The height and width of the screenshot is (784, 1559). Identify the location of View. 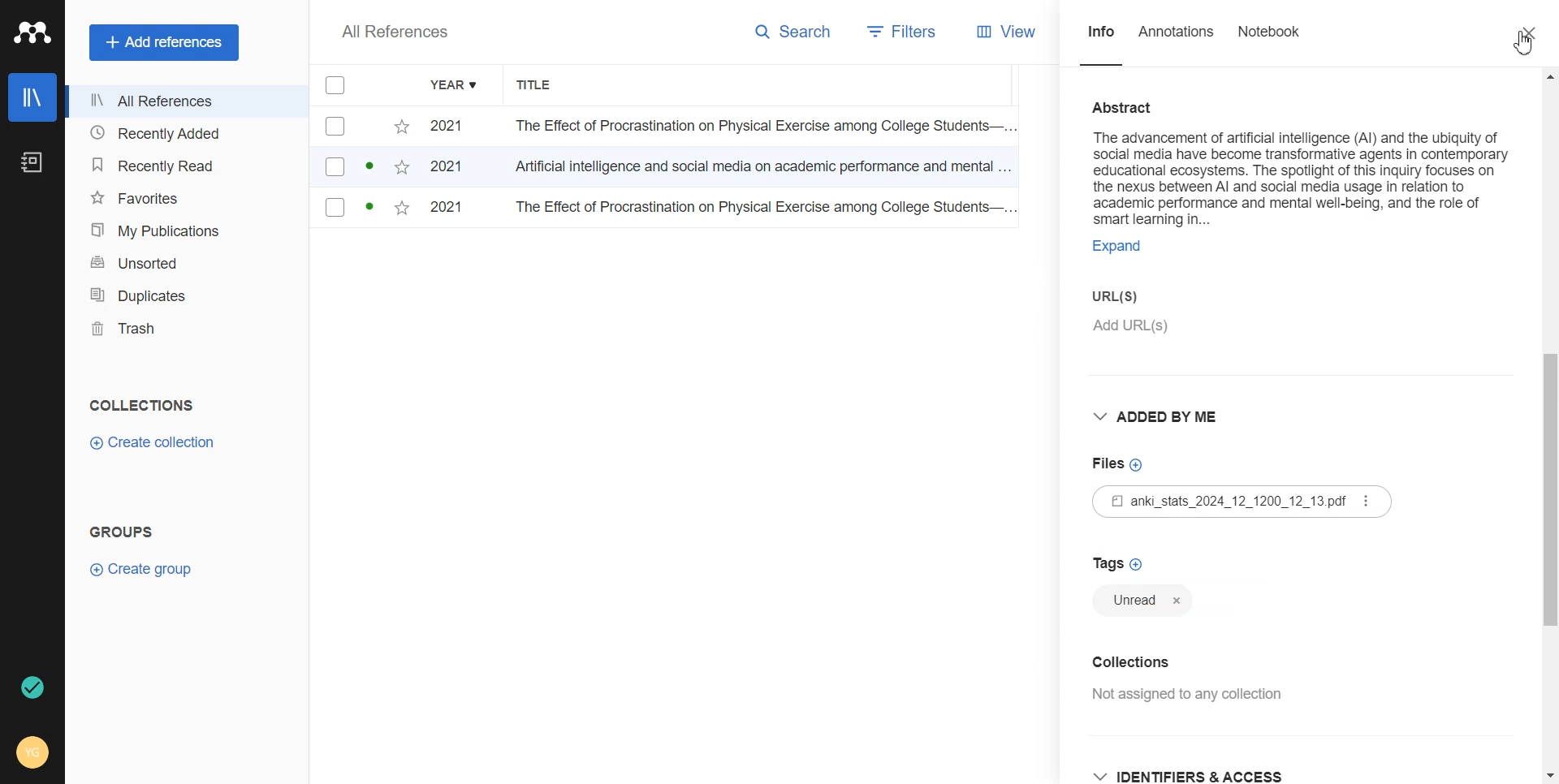
(1014, 32).